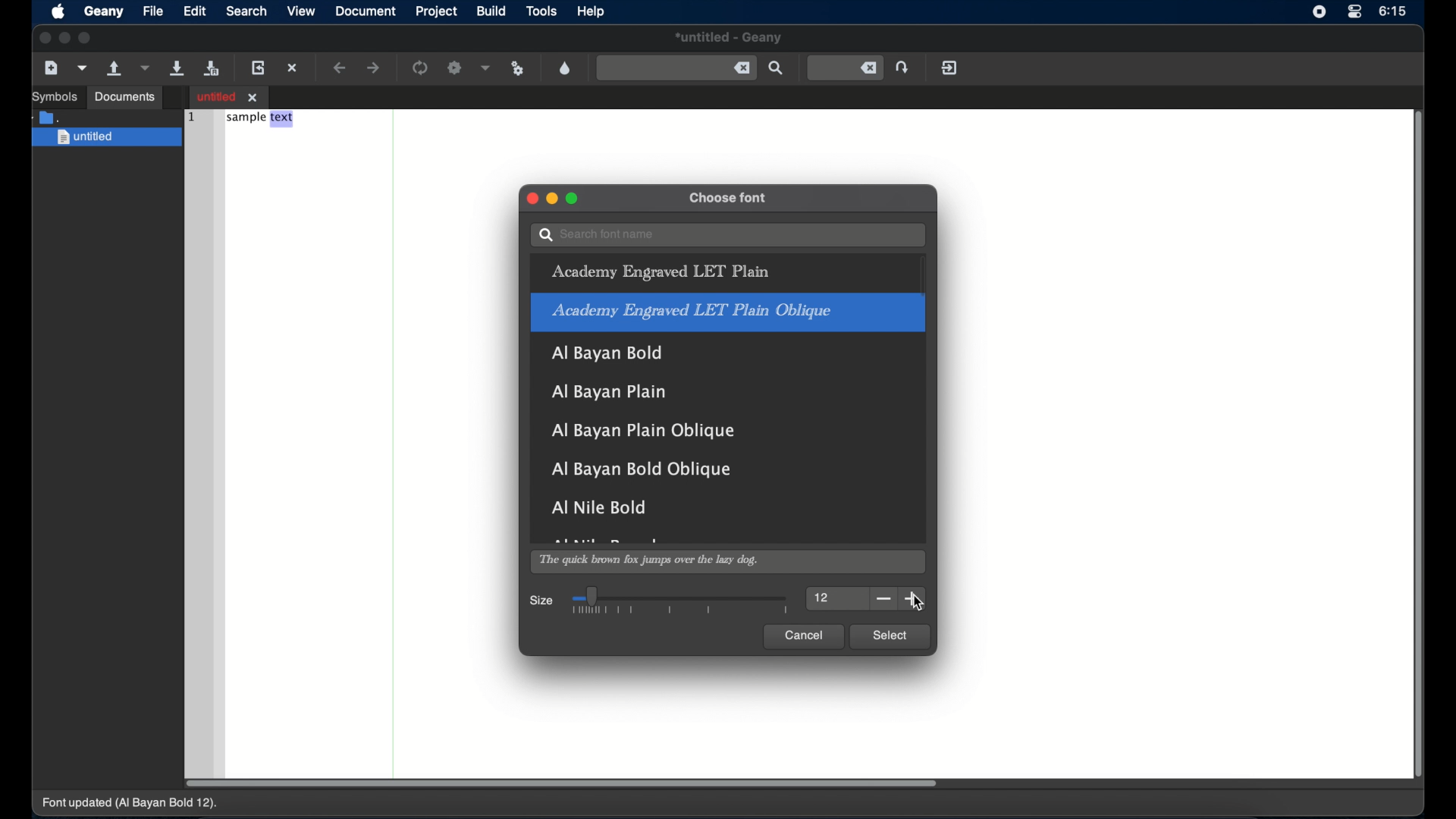  What do you see at coordinates (949, 67) in the screenshot?
I see `quit geany` at bounding box center [949, 67].